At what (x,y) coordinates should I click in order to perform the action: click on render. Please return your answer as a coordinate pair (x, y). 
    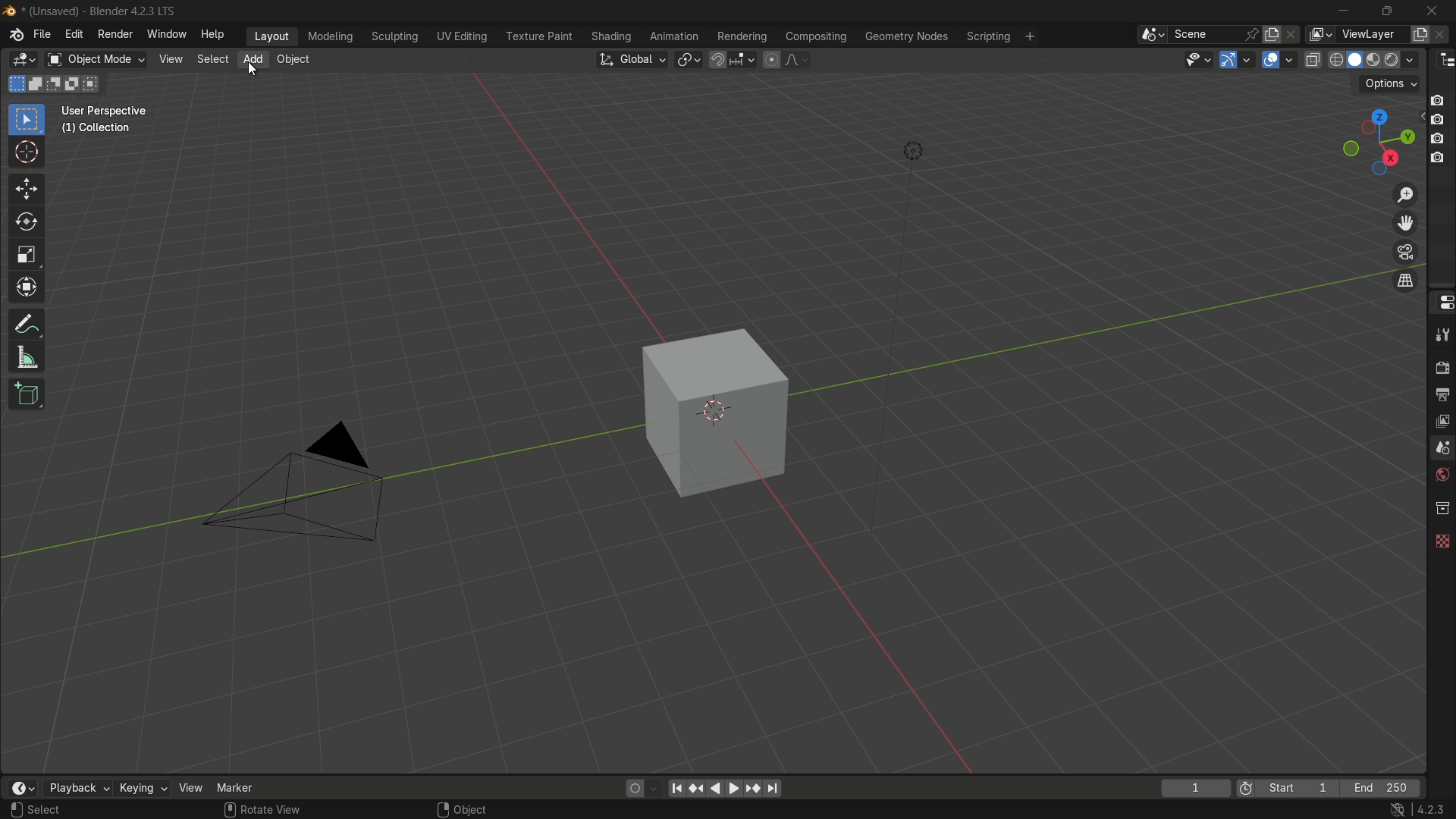
    Looking at the image, I should click on (1439, 366).